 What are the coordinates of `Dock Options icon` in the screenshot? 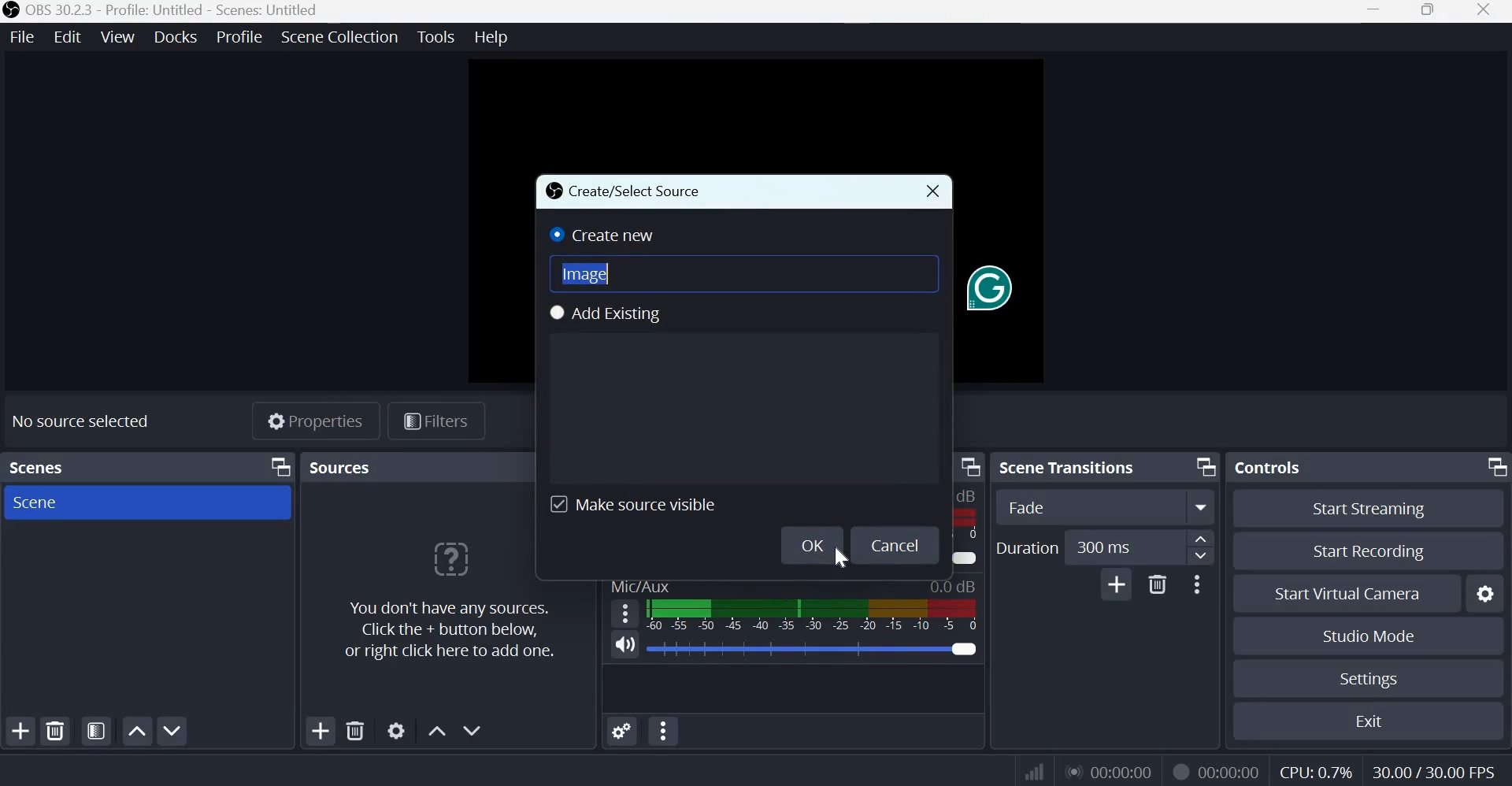 It's located at (1206, 467).